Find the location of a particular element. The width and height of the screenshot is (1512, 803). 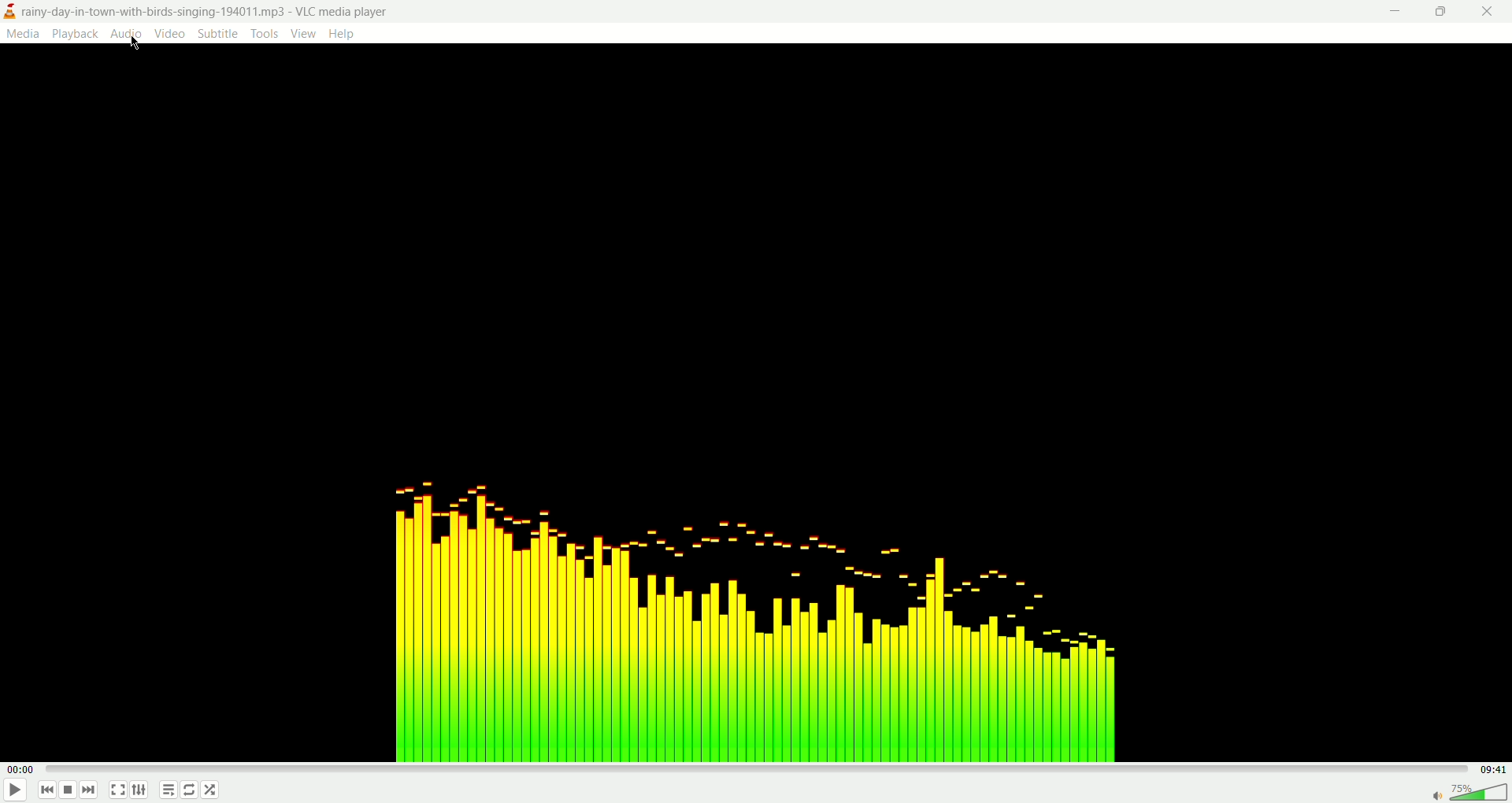

logo is located at coordinates (9, 10).